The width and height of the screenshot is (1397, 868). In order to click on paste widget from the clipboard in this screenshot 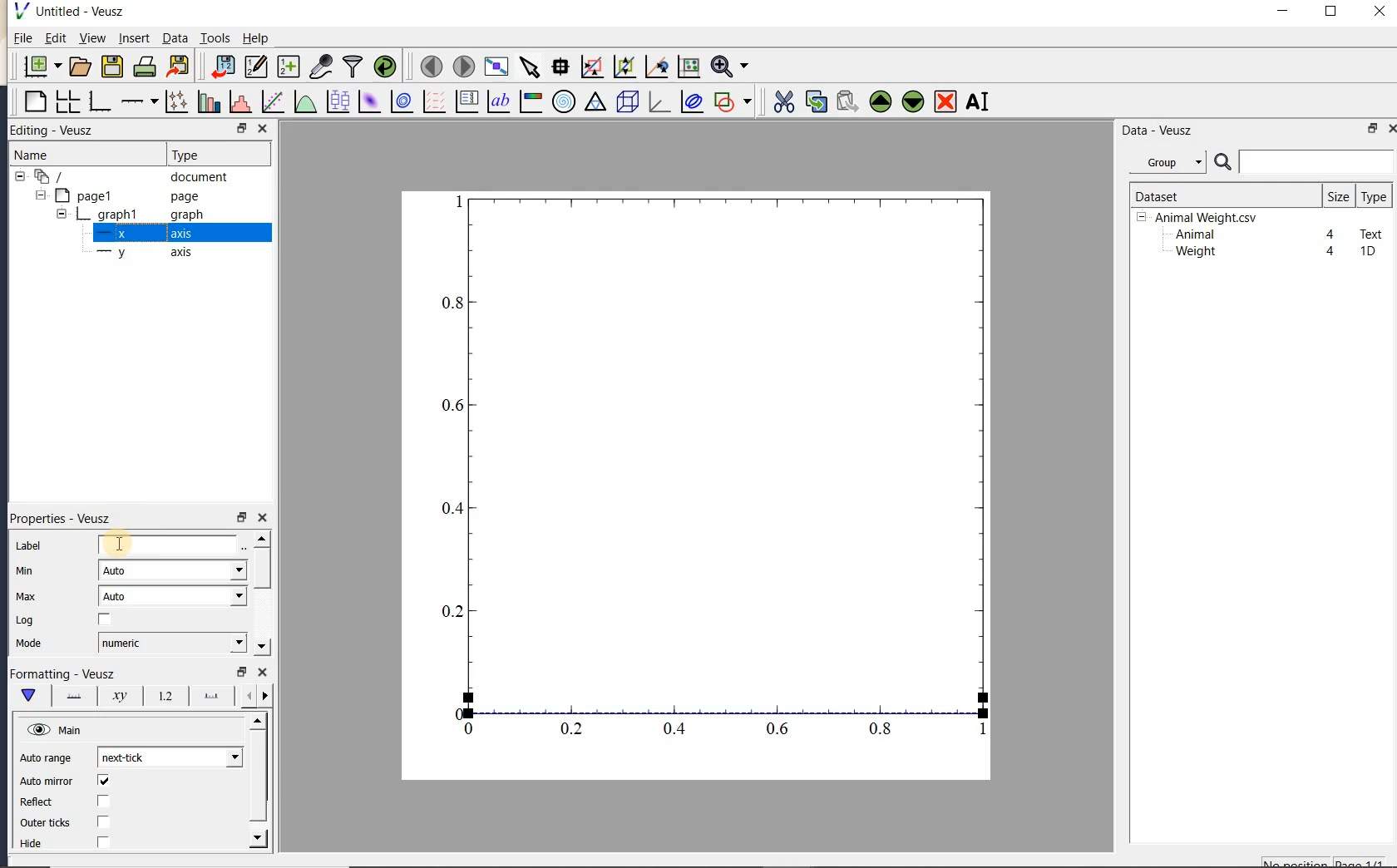, I will do `click(847, 103)`.